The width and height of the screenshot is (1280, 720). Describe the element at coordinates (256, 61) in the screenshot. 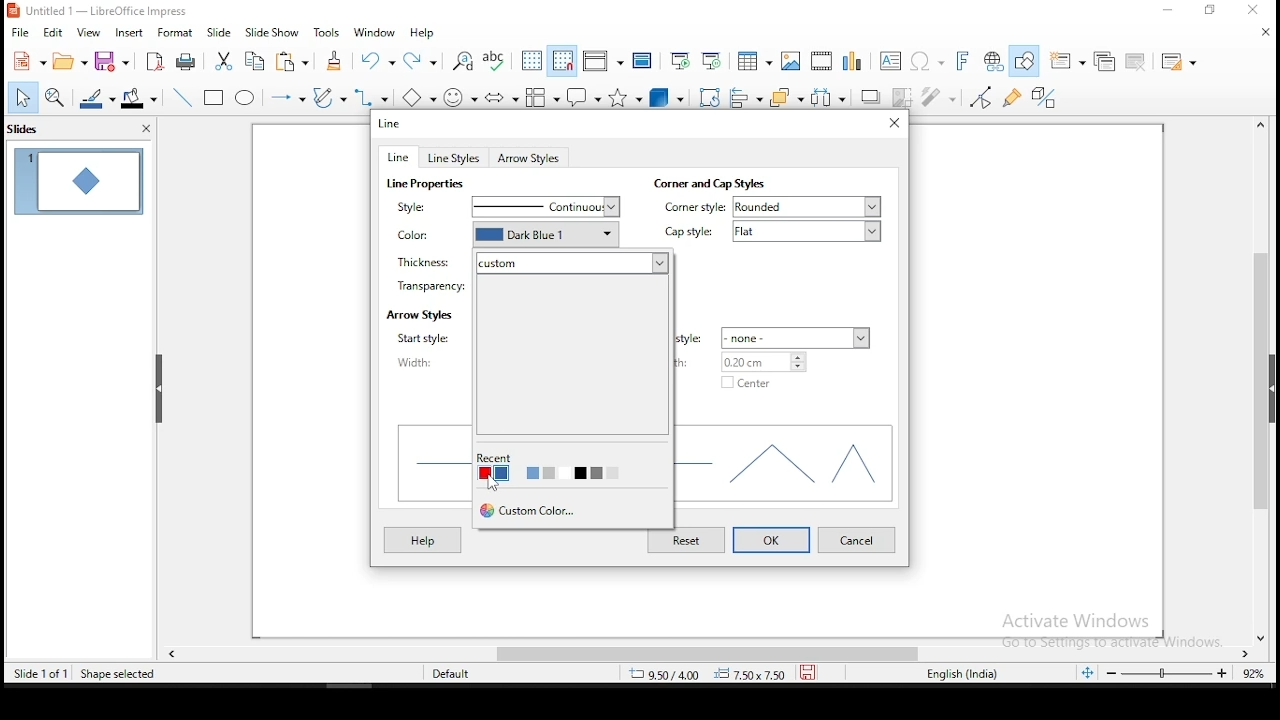

I see `copy` at that location.